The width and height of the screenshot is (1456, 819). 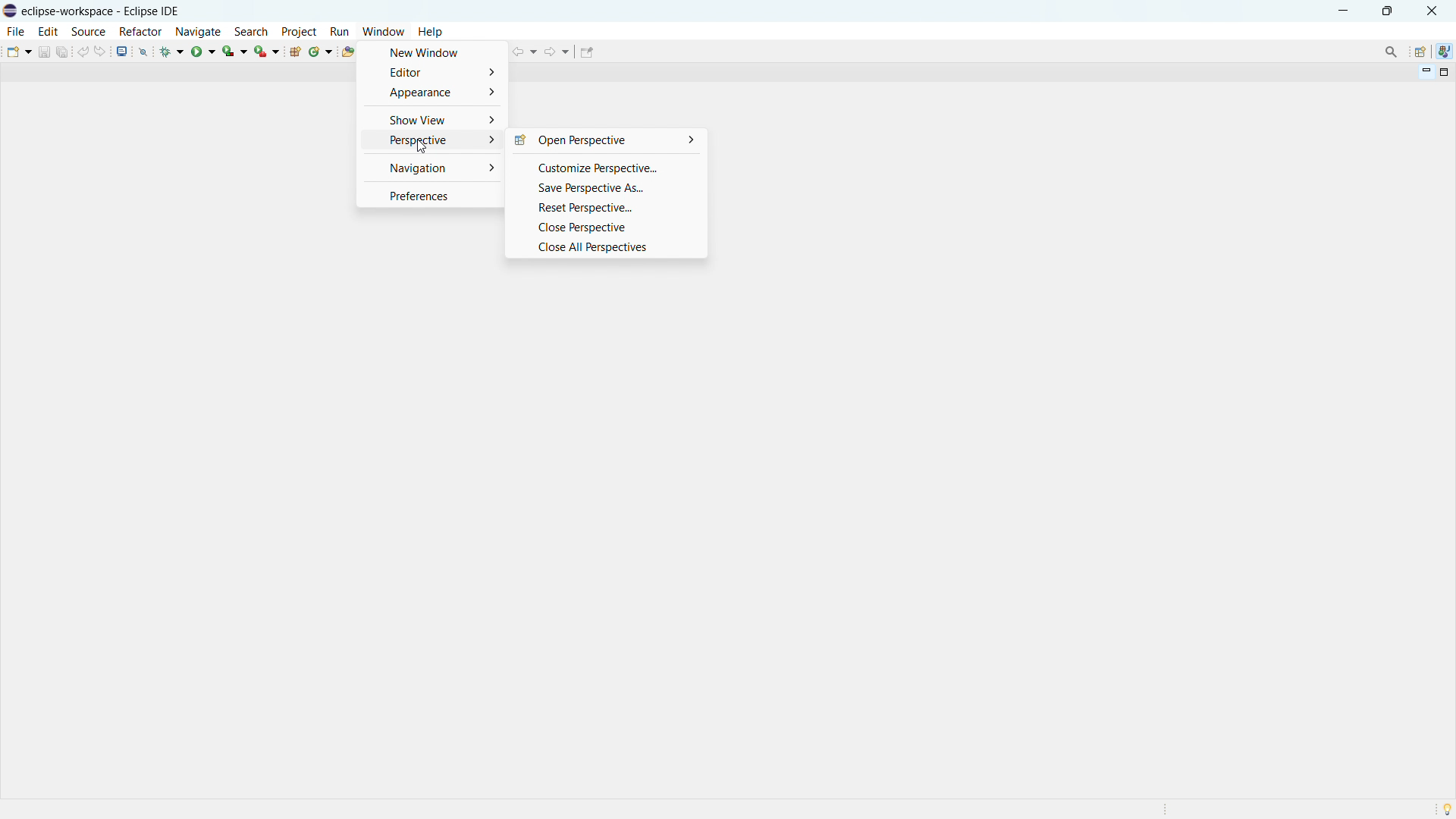 I want to click on Cursor, so click(x=422, y=147).